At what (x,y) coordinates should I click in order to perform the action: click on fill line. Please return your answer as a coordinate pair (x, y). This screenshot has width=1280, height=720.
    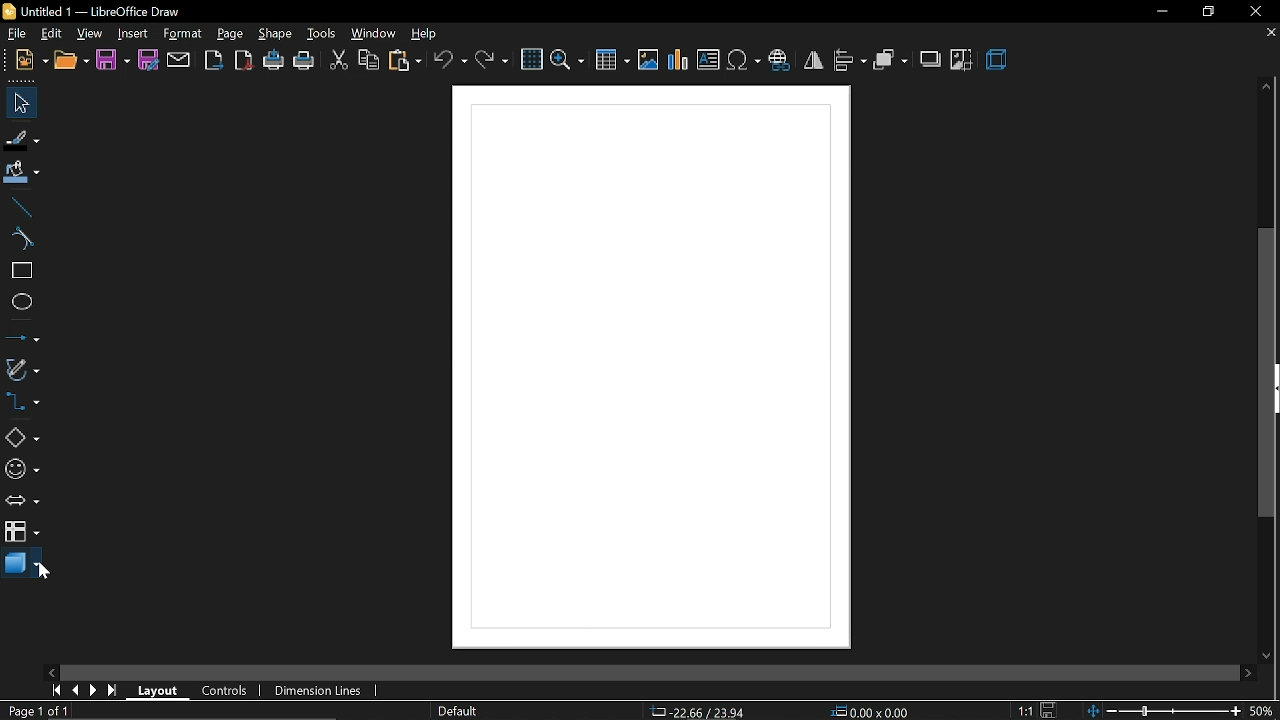
    Looking at the image, I should click on (22, 141).